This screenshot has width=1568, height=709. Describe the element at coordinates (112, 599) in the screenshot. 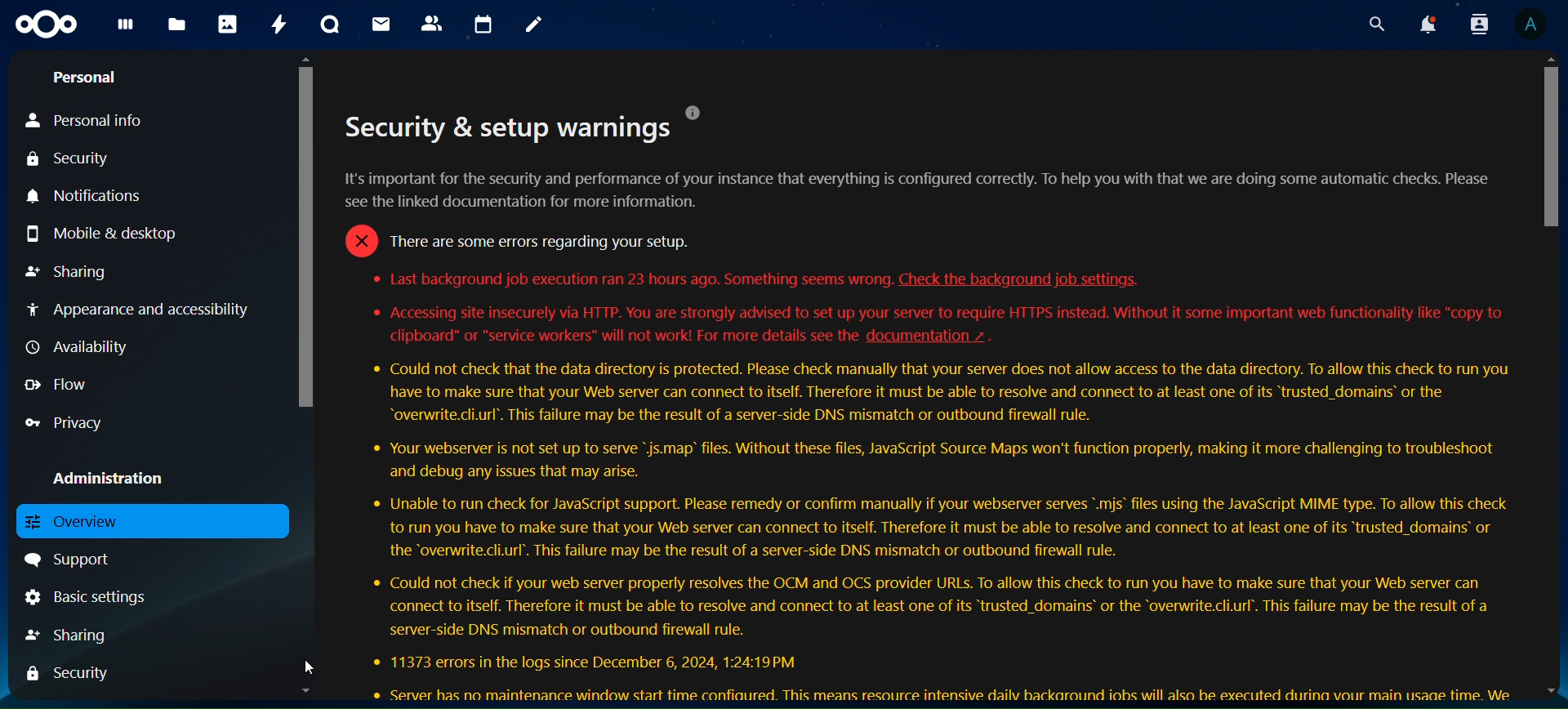

I see `basic settings` at that location.